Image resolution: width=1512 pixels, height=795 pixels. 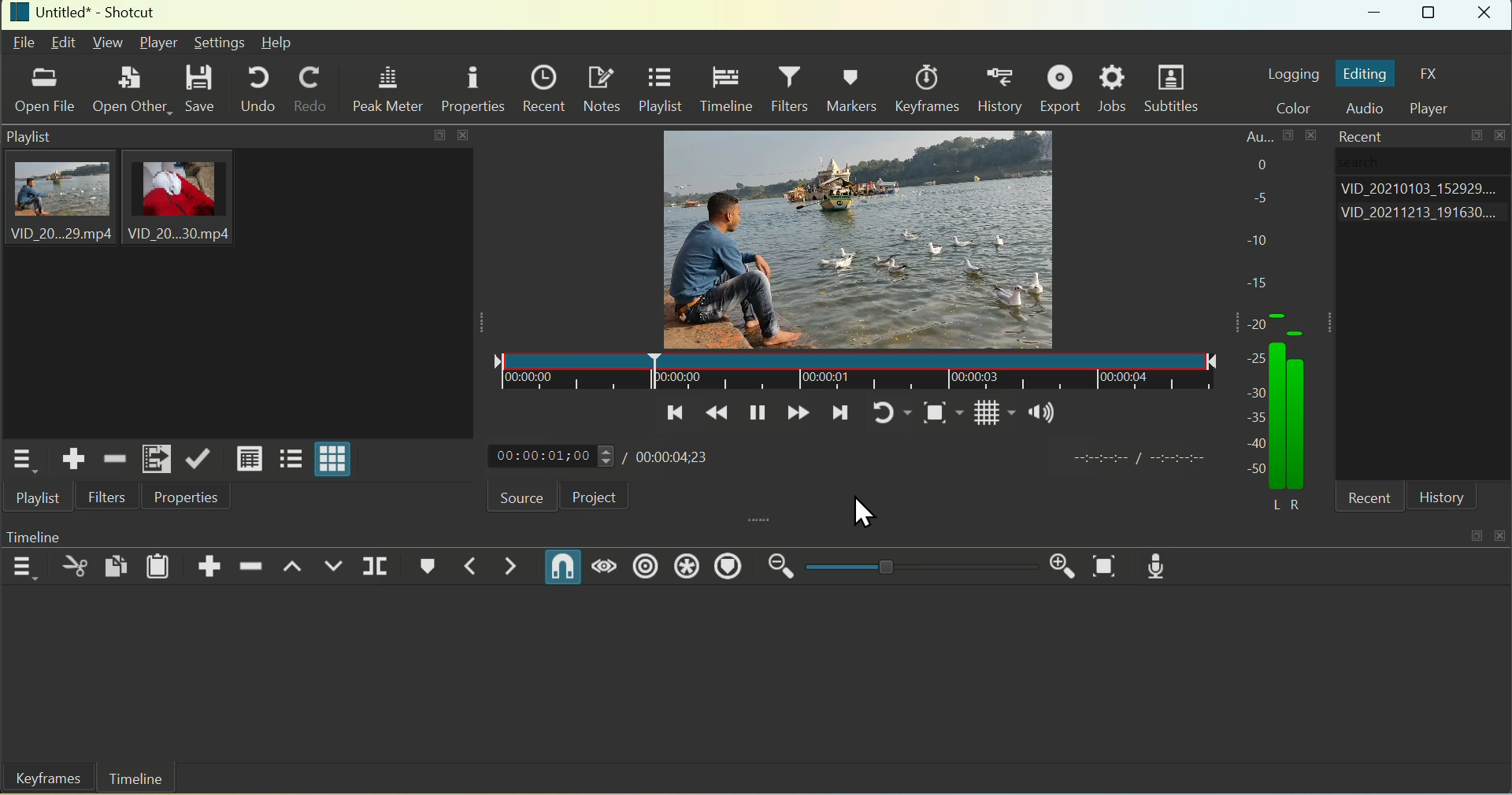 I want to click on Markers, so click(x=855, y=87).